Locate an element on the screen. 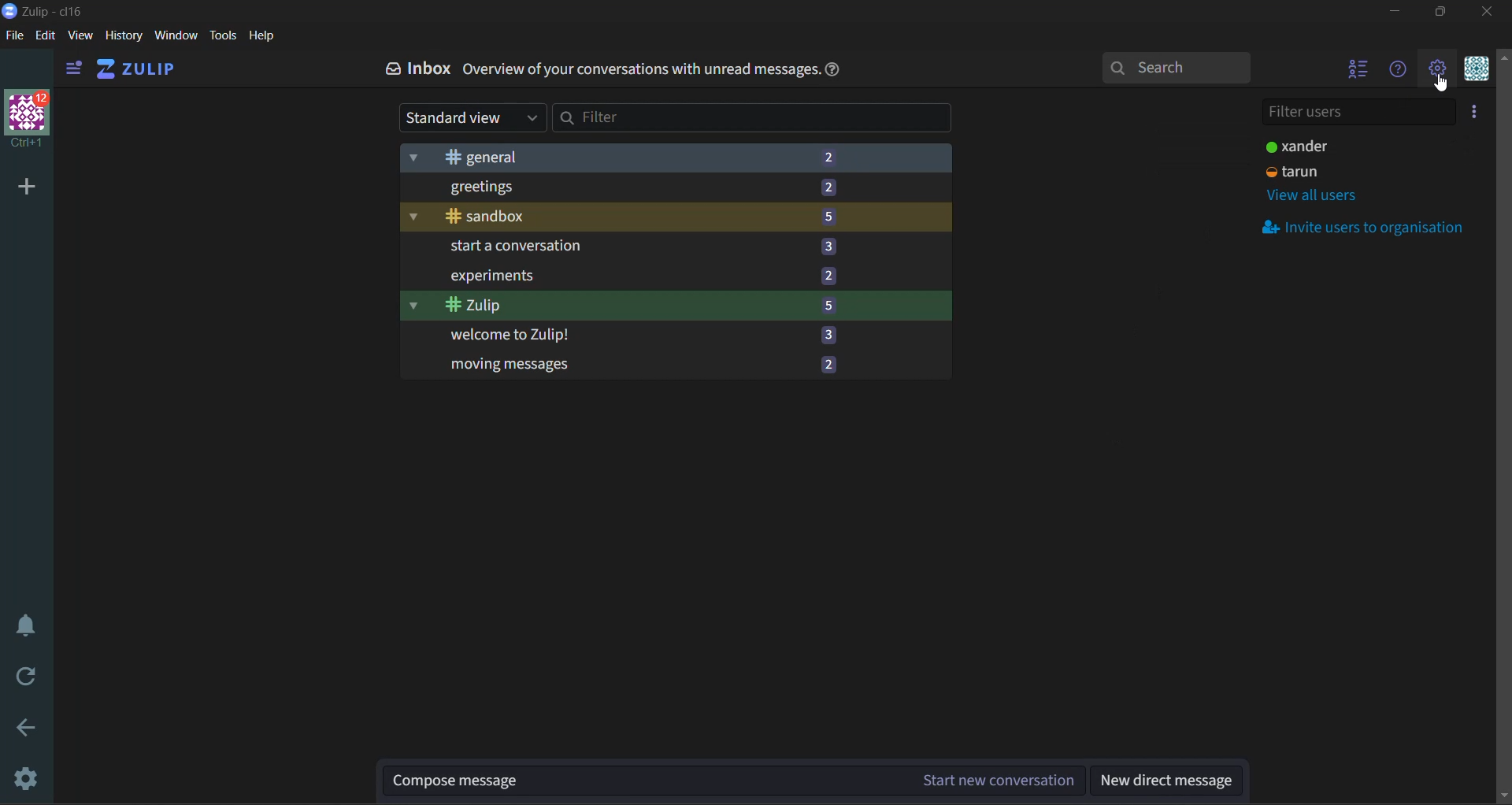 This screenshot has width=1512, height=805. moving messages is located at coordinates (631, 365).